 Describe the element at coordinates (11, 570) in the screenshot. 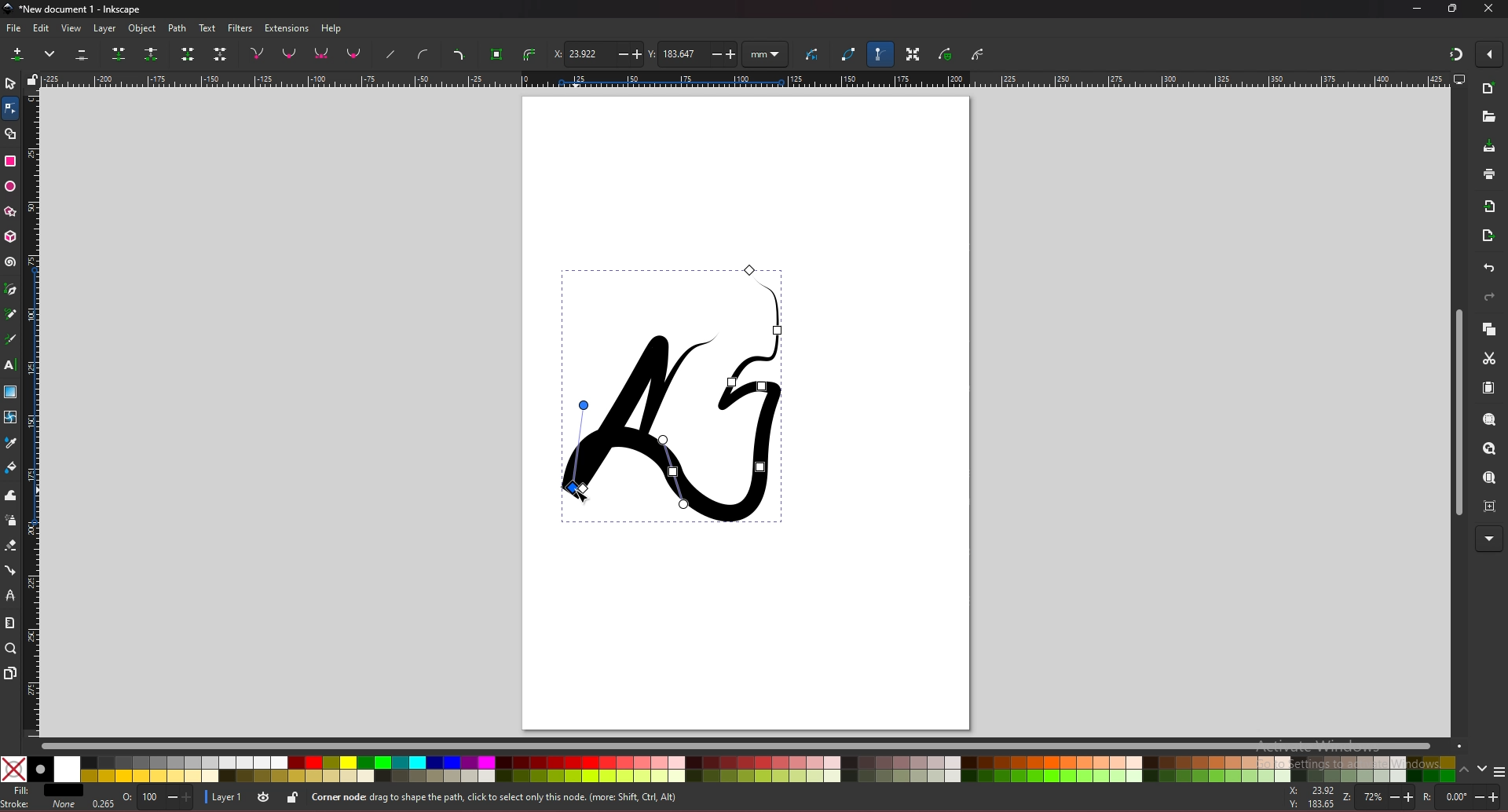

I see `connector` at that location.